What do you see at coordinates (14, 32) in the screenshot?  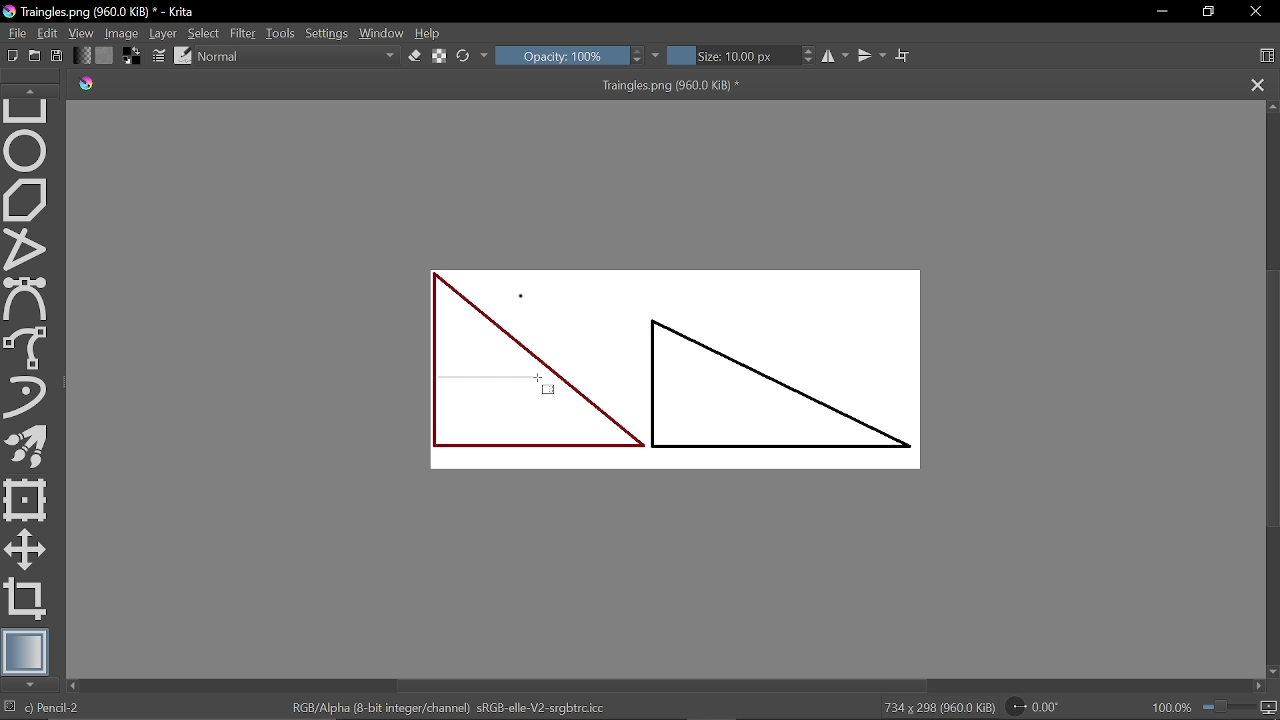 I see `File` at bounding box center [14, 32].